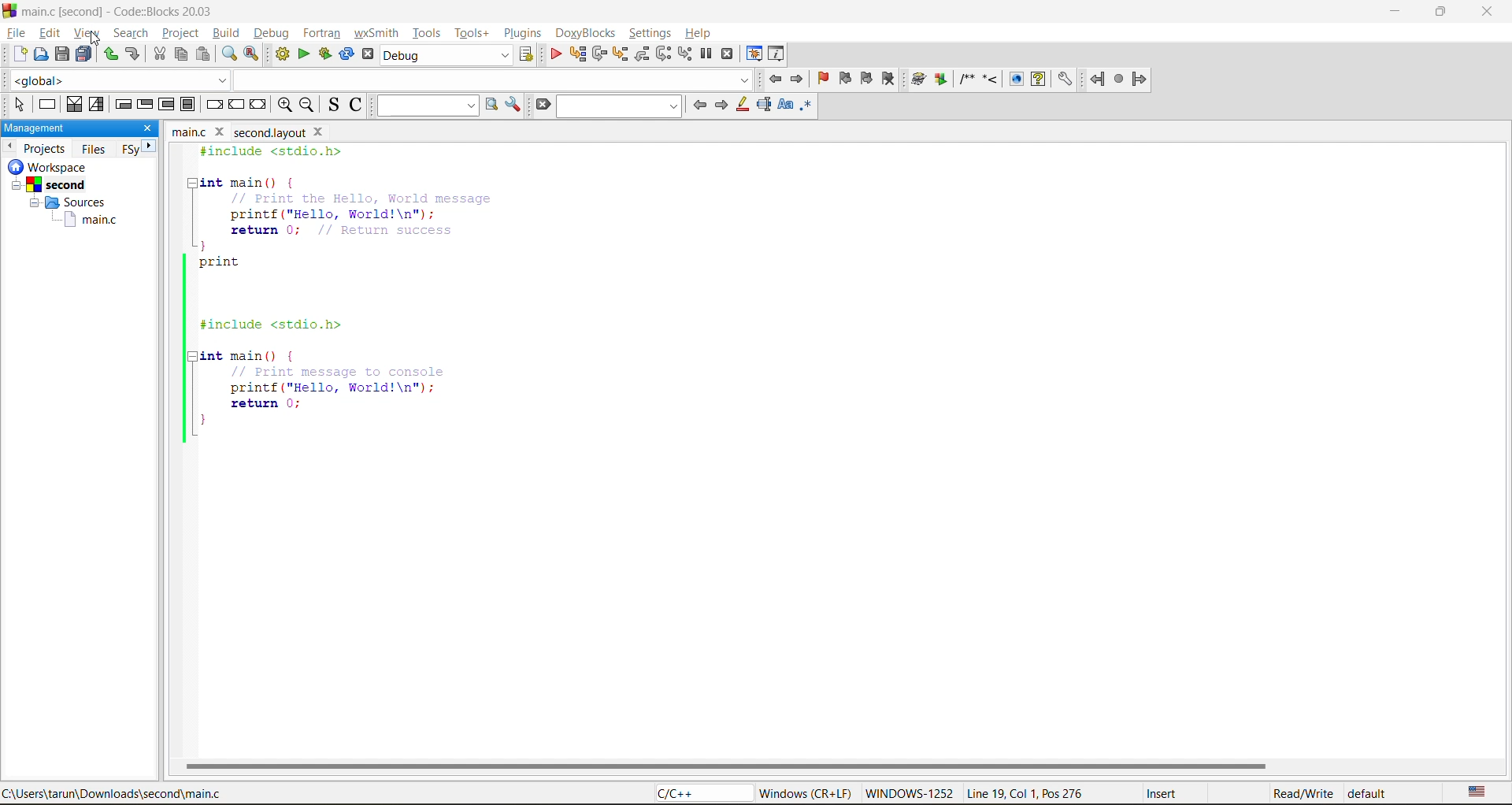  What do you see at coordinates (702, 29) in the screenshot?
I see `help` at bounding box center [702, 29].